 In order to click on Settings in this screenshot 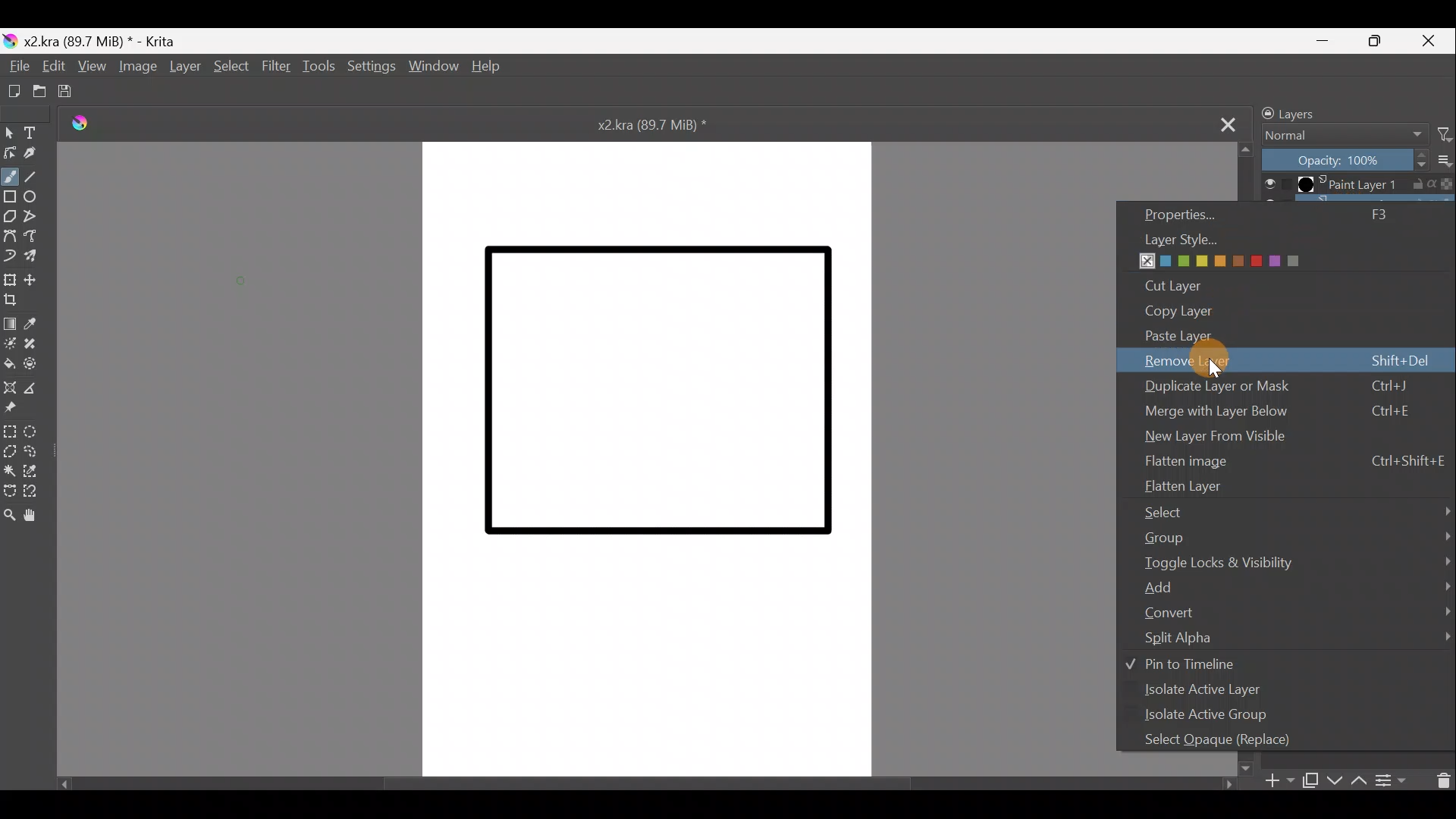, I will do `click(369, 69)`.